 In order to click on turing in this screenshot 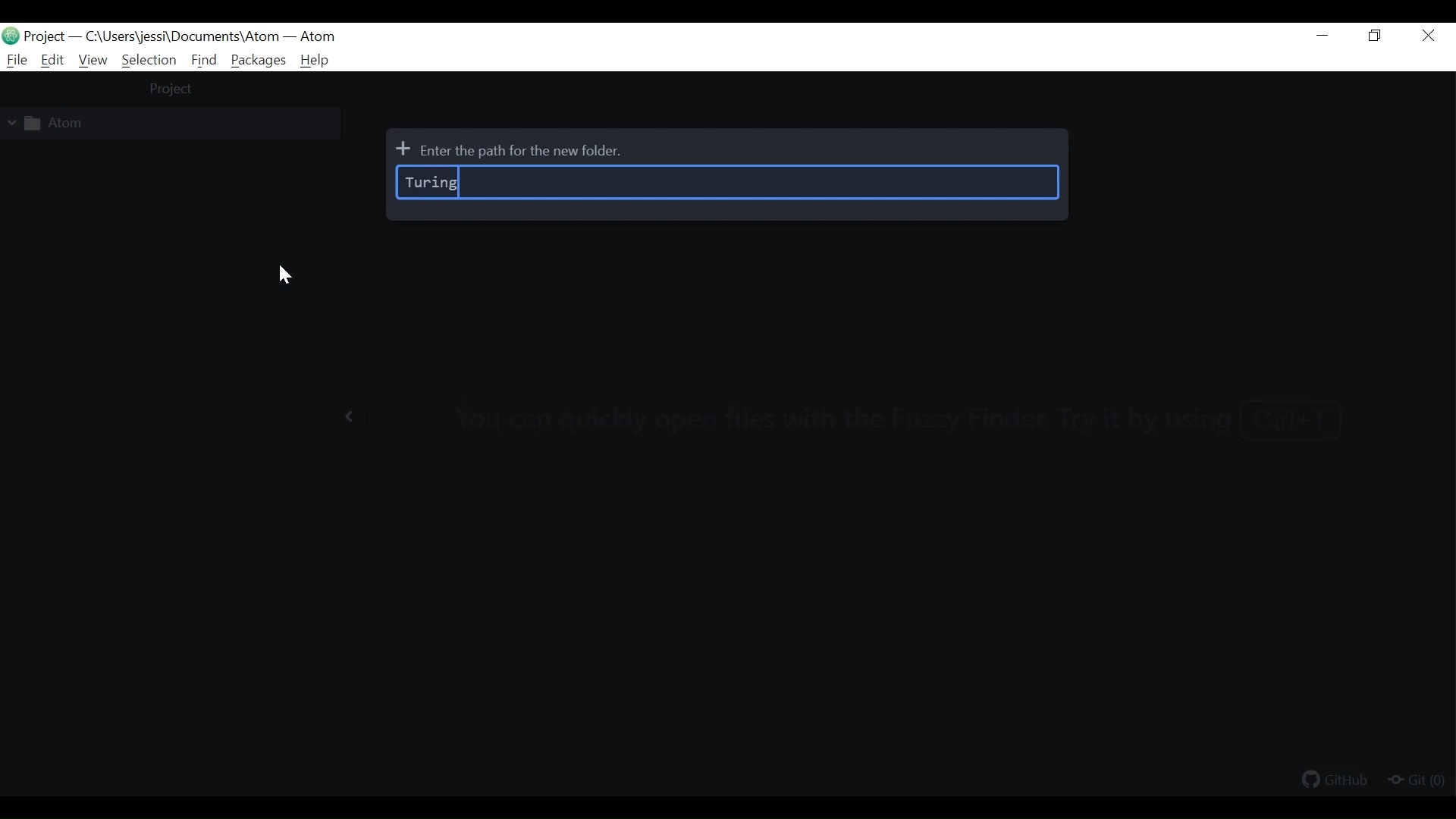, I will do `click(431, 184)`.